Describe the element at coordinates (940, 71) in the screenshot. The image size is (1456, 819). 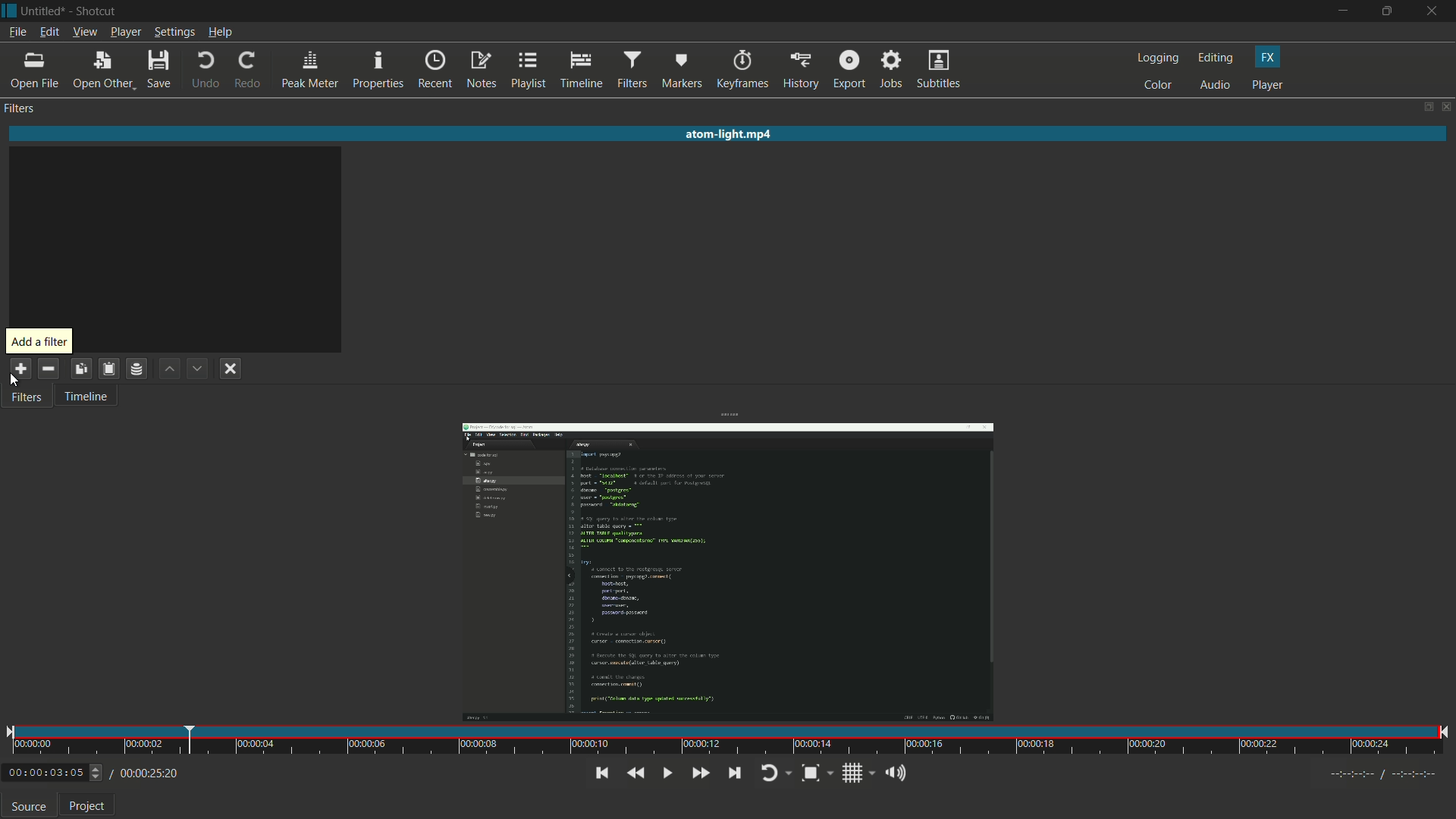
I see `subtitles` at that location.